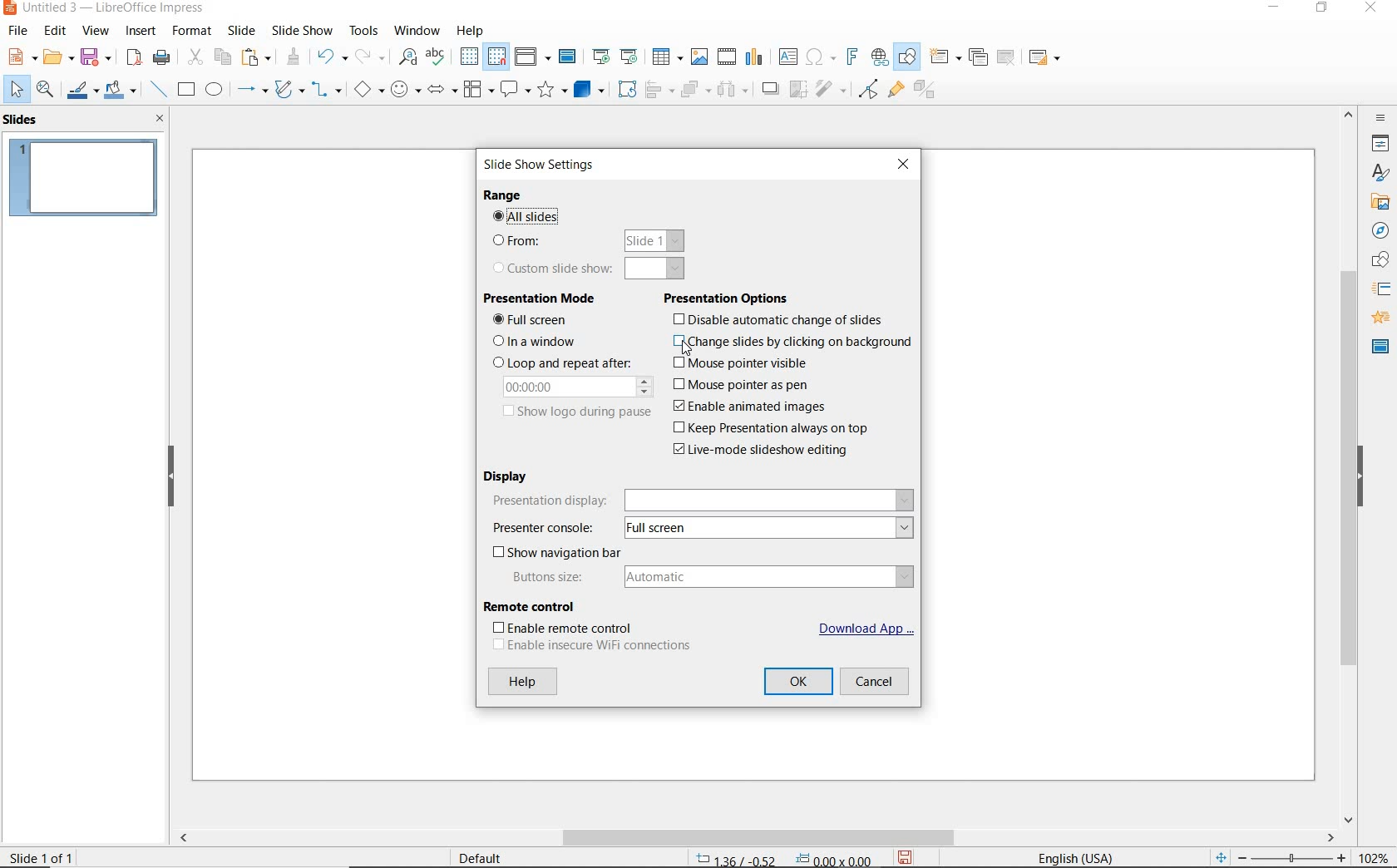 This screenshot has width=1397, height=868. What do you see at coordinates (327, 88) in the screenshot?
I see `CONNECTORS` at bounding box center [327, 88].